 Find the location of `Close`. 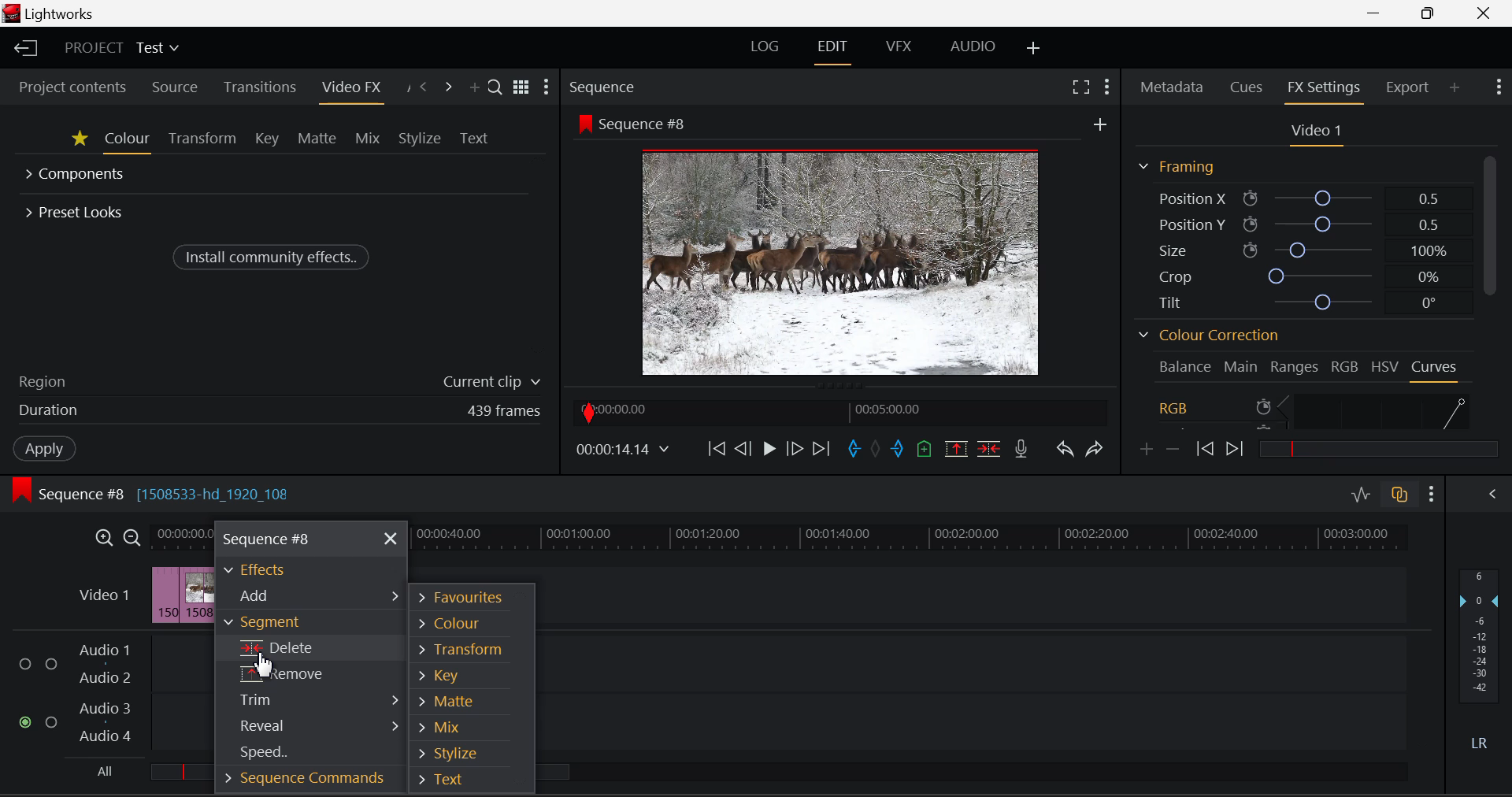

Close is located at coordinates (1484, 13).